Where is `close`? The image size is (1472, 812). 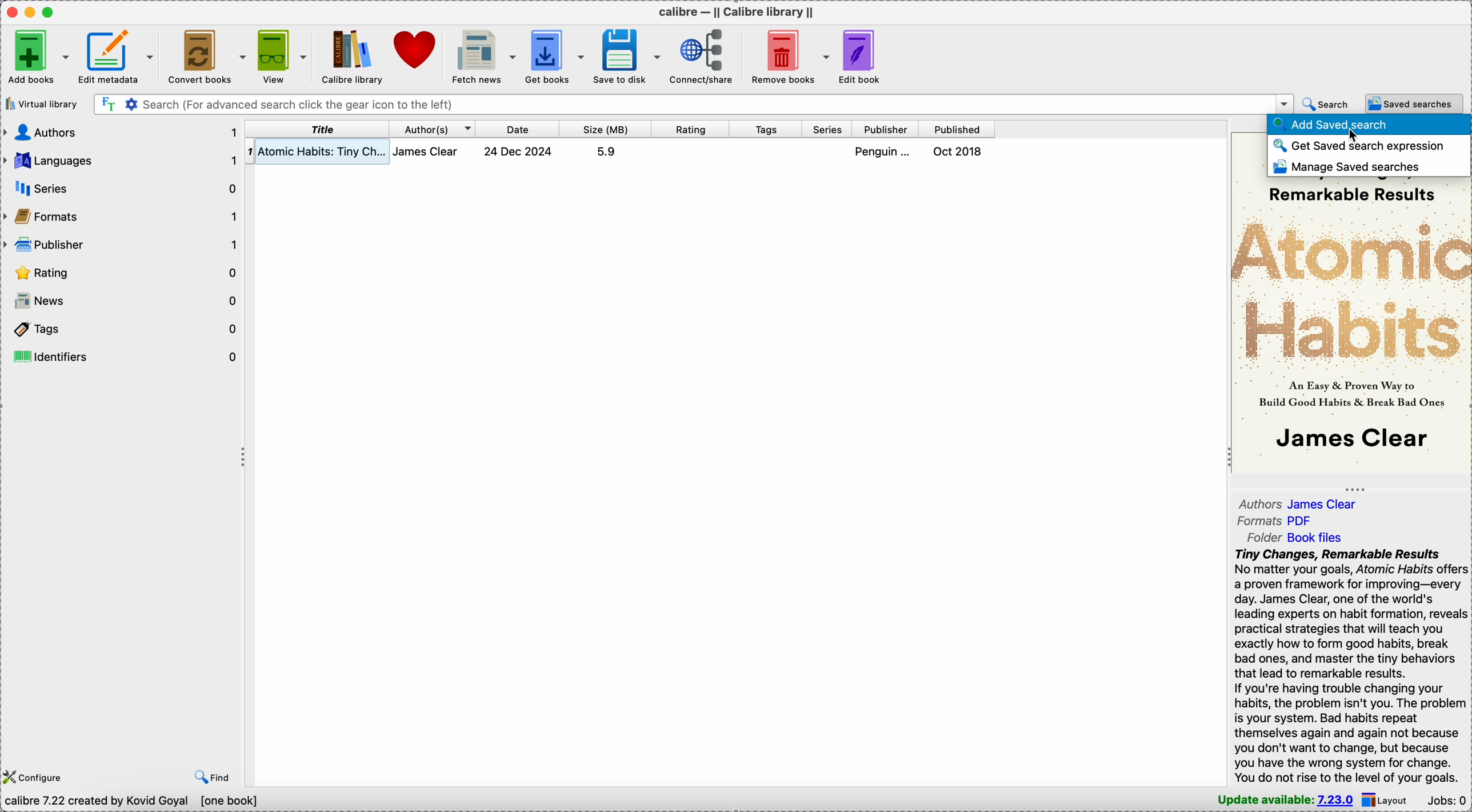 close is located at coordinates (11, 11).